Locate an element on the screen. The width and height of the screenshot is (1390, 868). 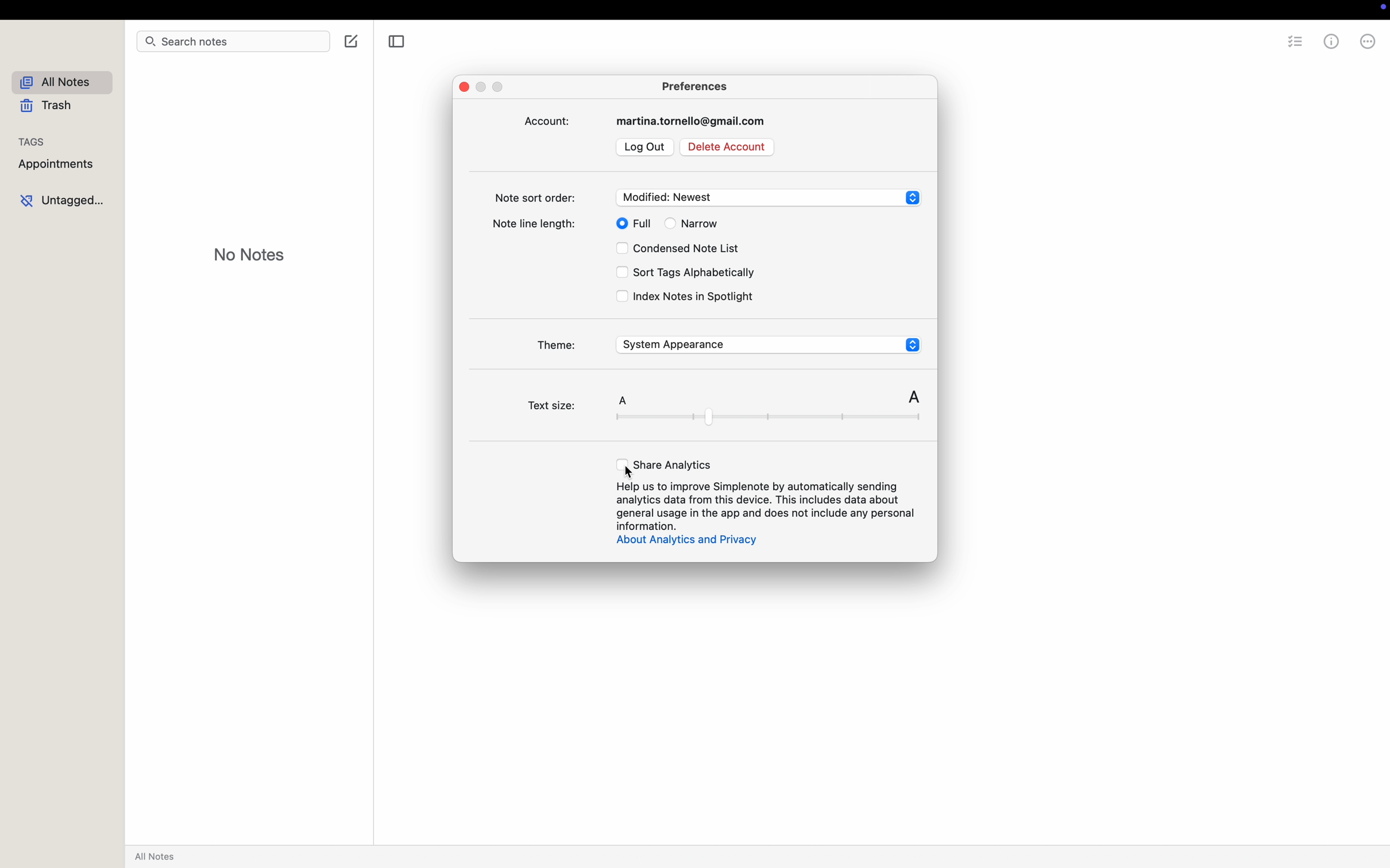
close popup is located at coordinates (462, 86).